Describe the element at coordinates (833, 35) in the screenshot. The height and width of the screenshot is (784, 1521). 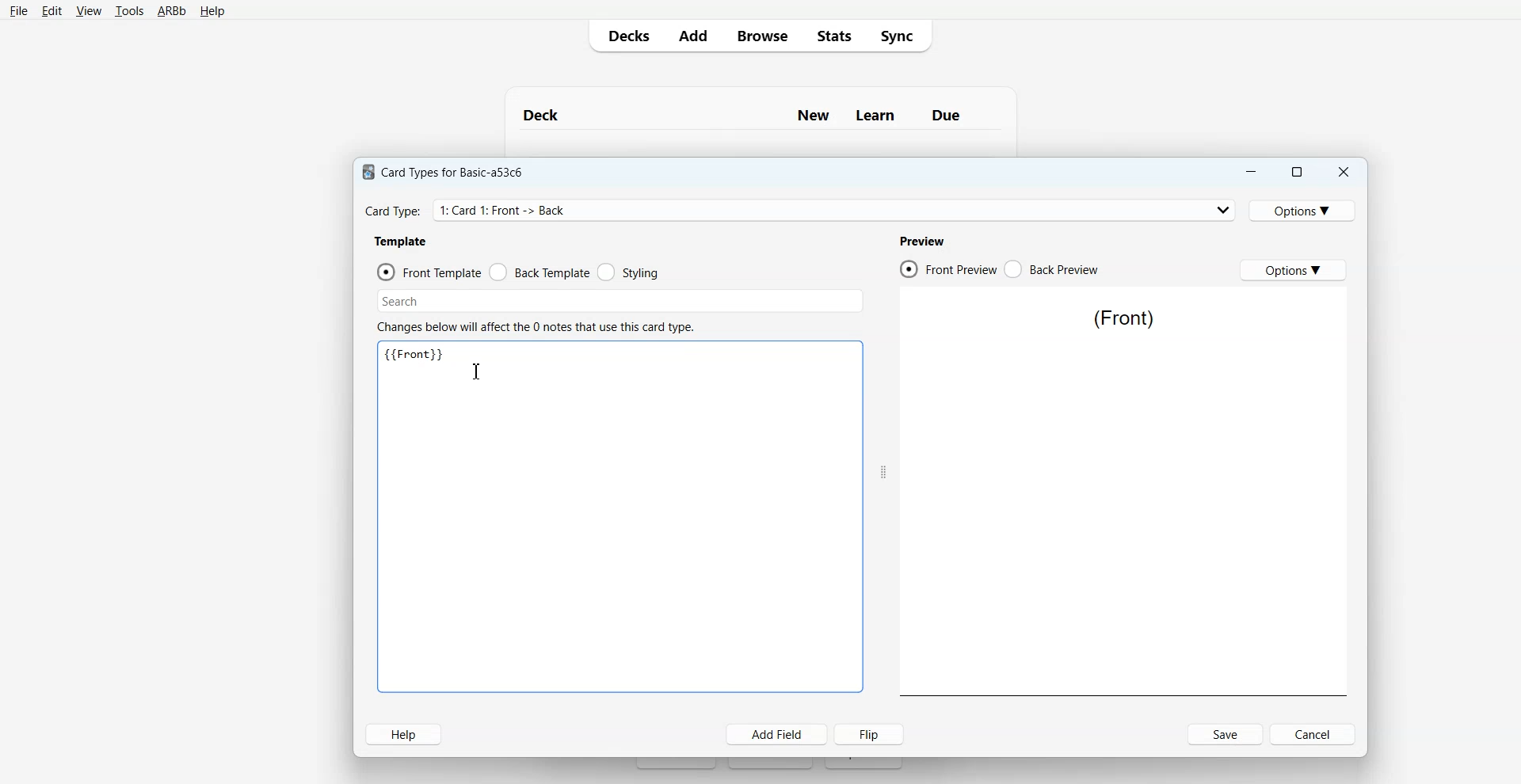
I see `Stats` at that location.